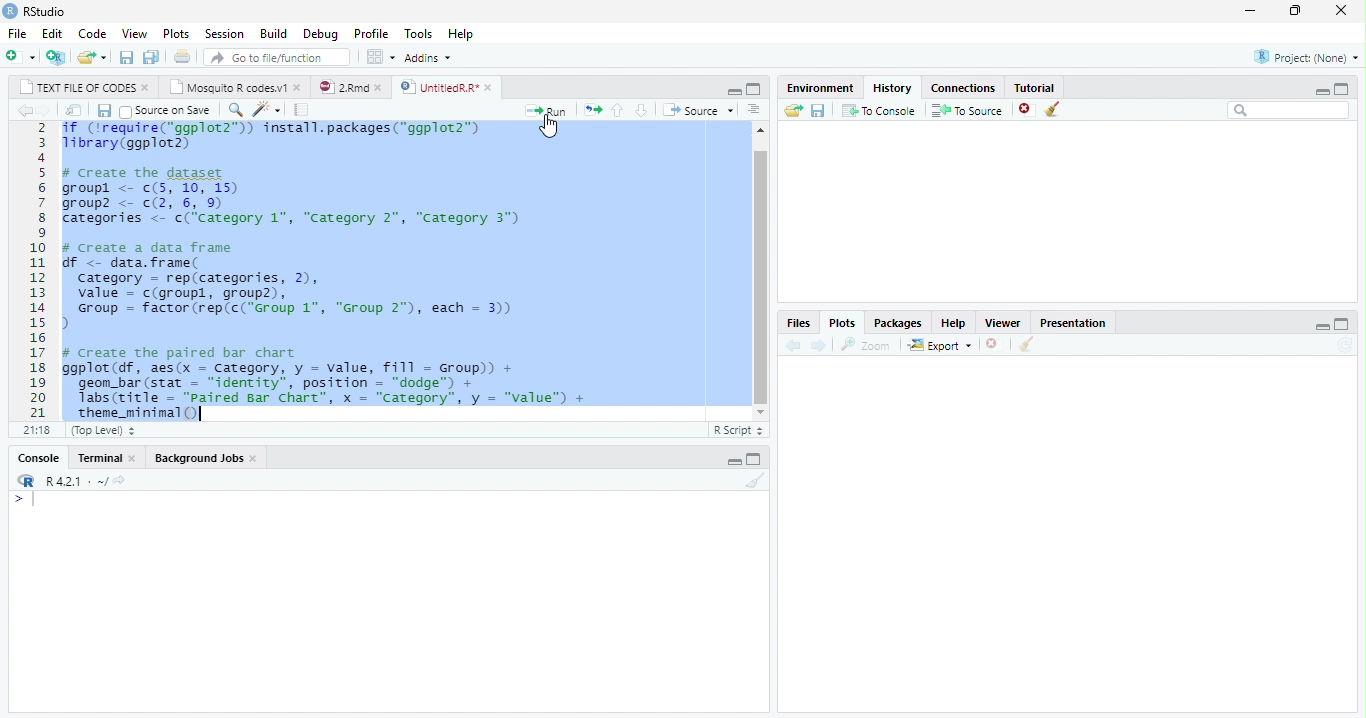  I want to click on project (none), so click(1306, 55).